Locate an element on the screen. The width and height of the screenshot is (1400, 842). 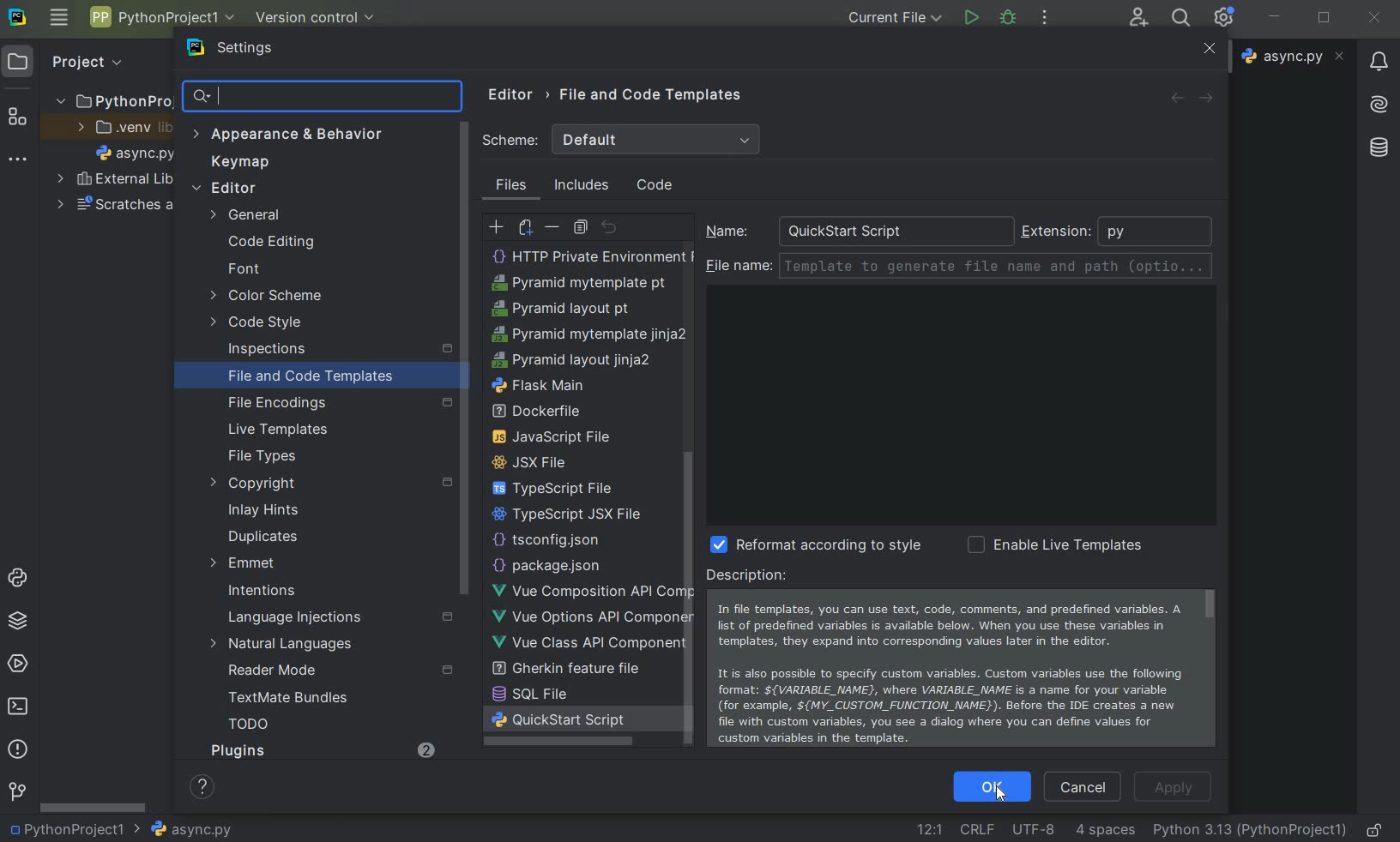
project name is located at coordinates (114, 99).